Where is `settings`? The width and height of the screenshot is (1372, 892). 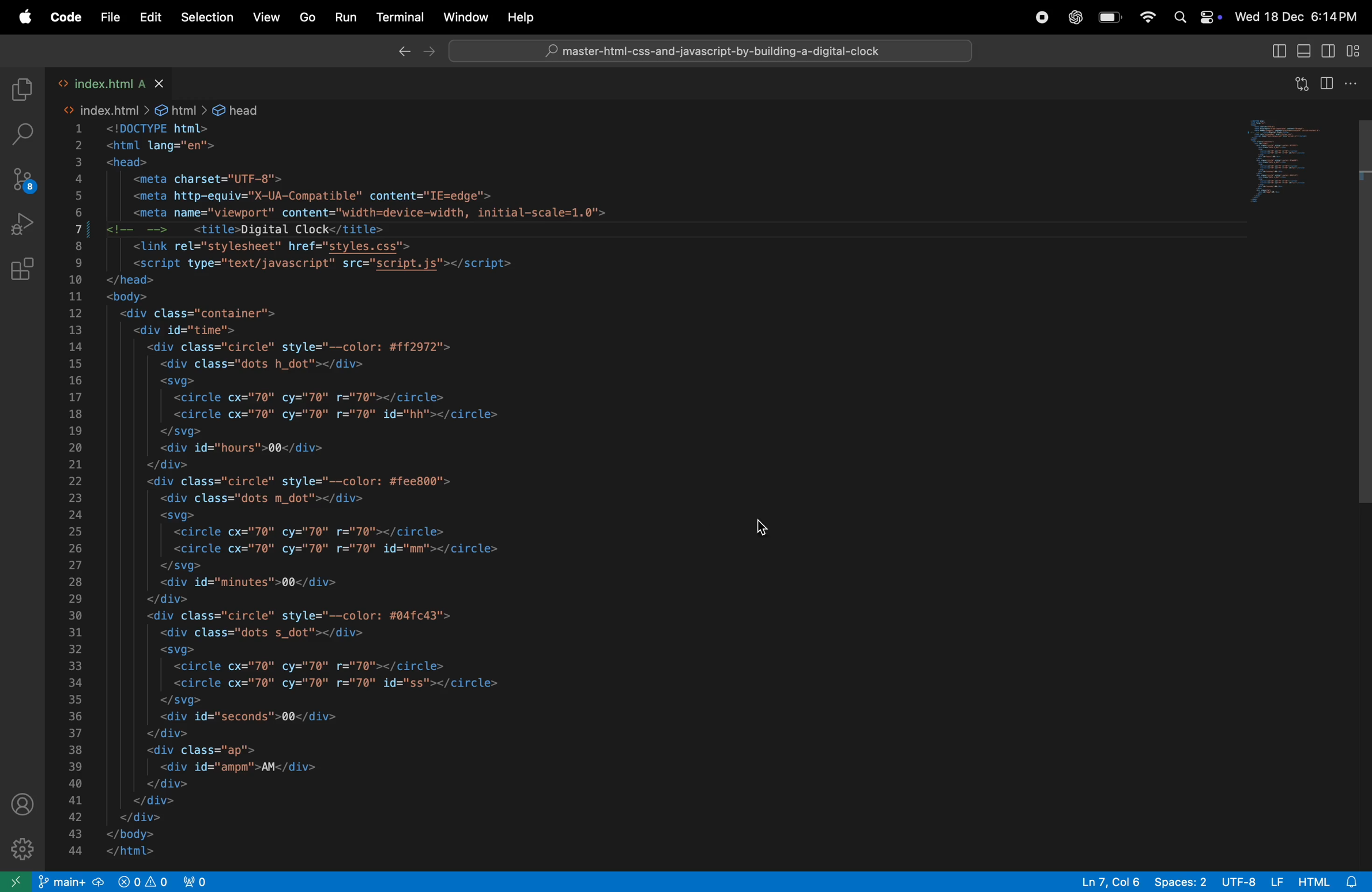 settings is located at coordinates (20, 850).